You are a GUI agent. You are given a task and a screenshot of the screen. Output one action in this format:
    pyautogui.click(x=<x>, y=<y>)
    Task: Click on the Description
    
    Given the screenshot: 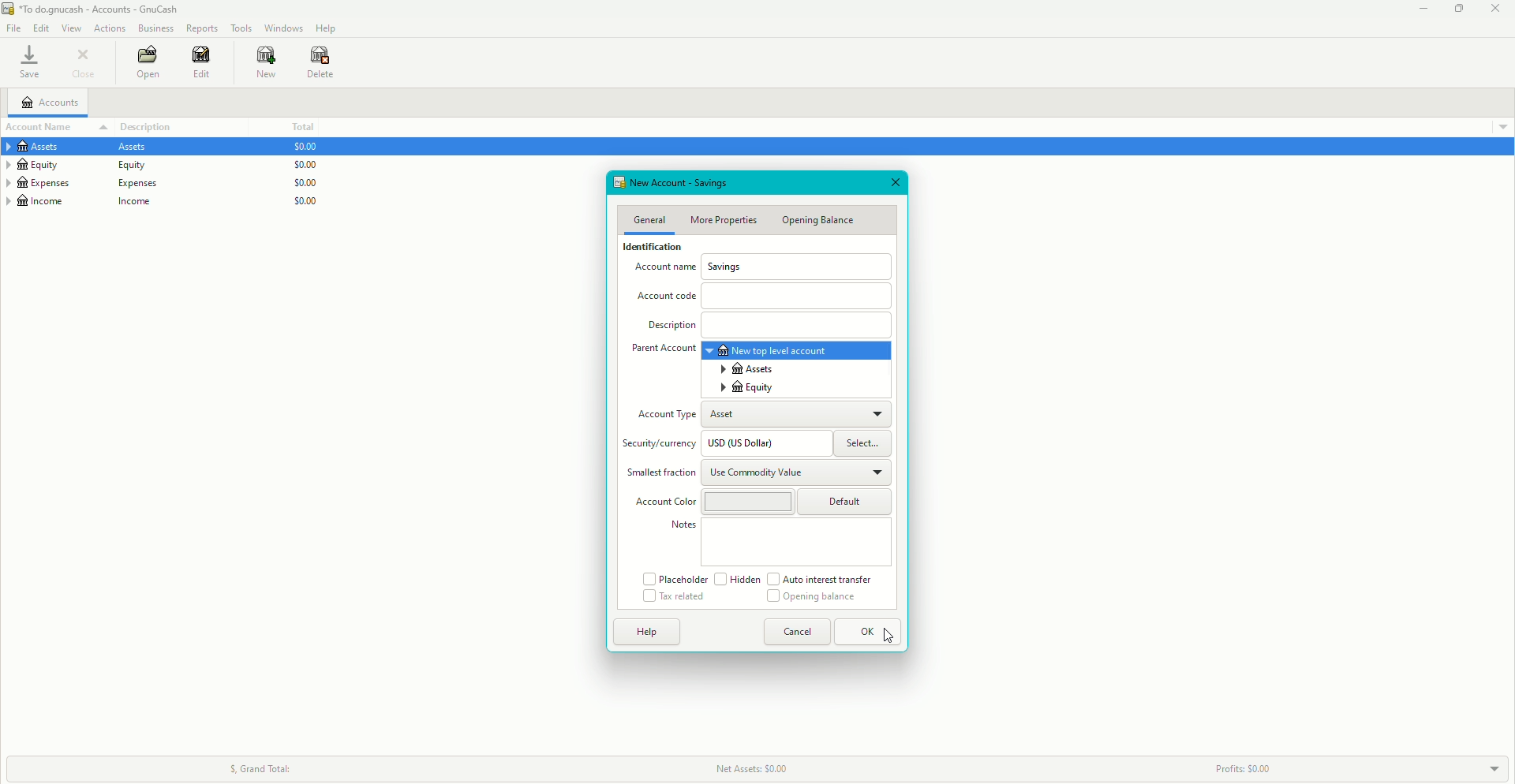 What is the action you would take?
    pyautogui.click(x=156, y=125)
    